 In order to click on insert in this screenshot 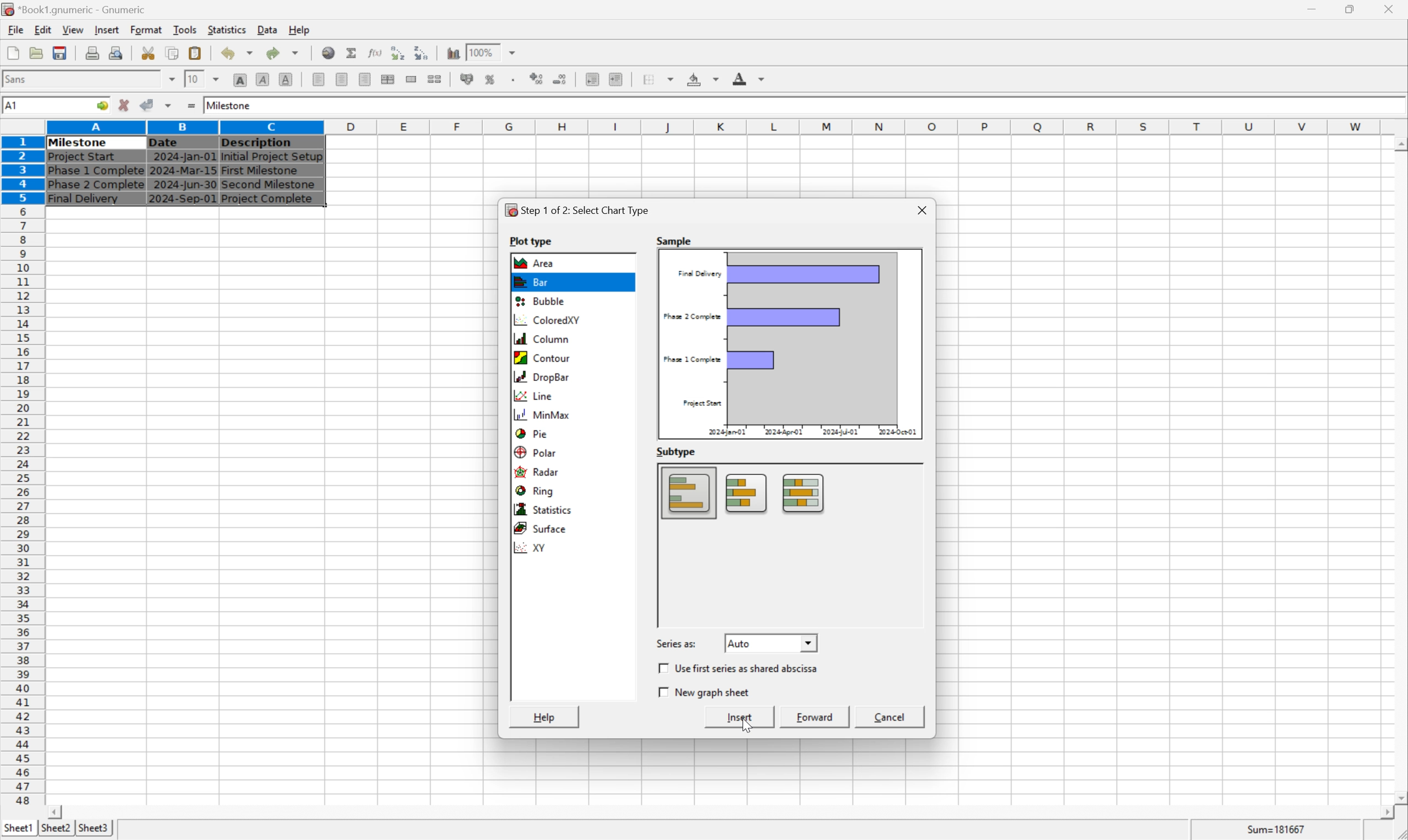, I will do `click(742, 718)`.